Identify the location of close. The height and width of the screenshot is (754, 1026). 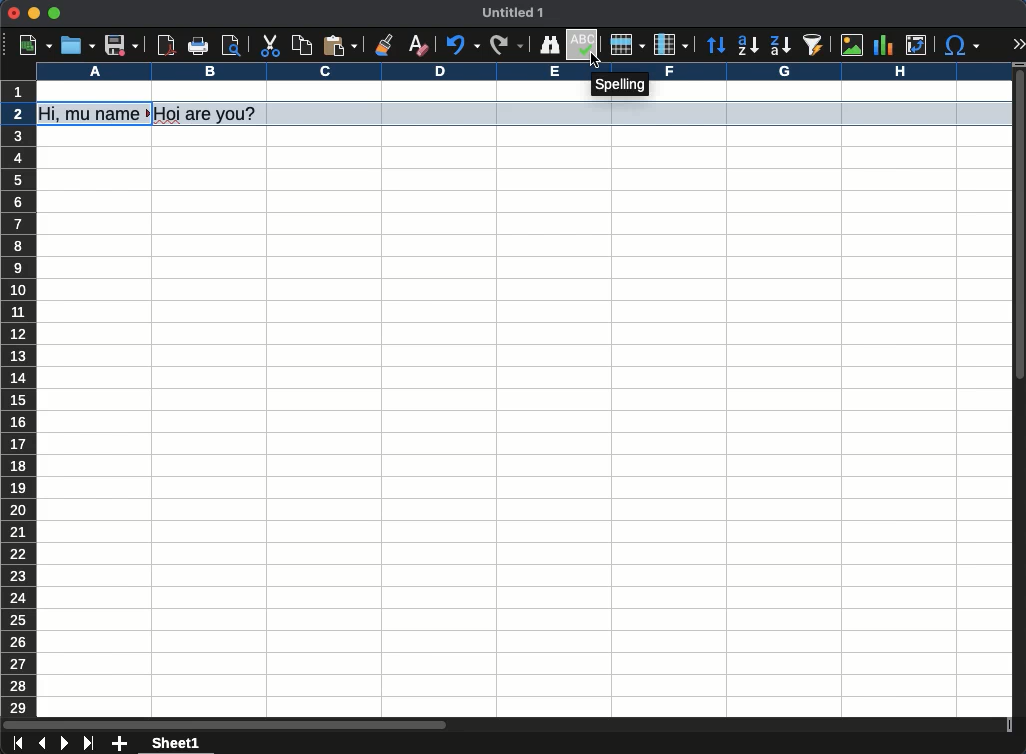
(13, 13).